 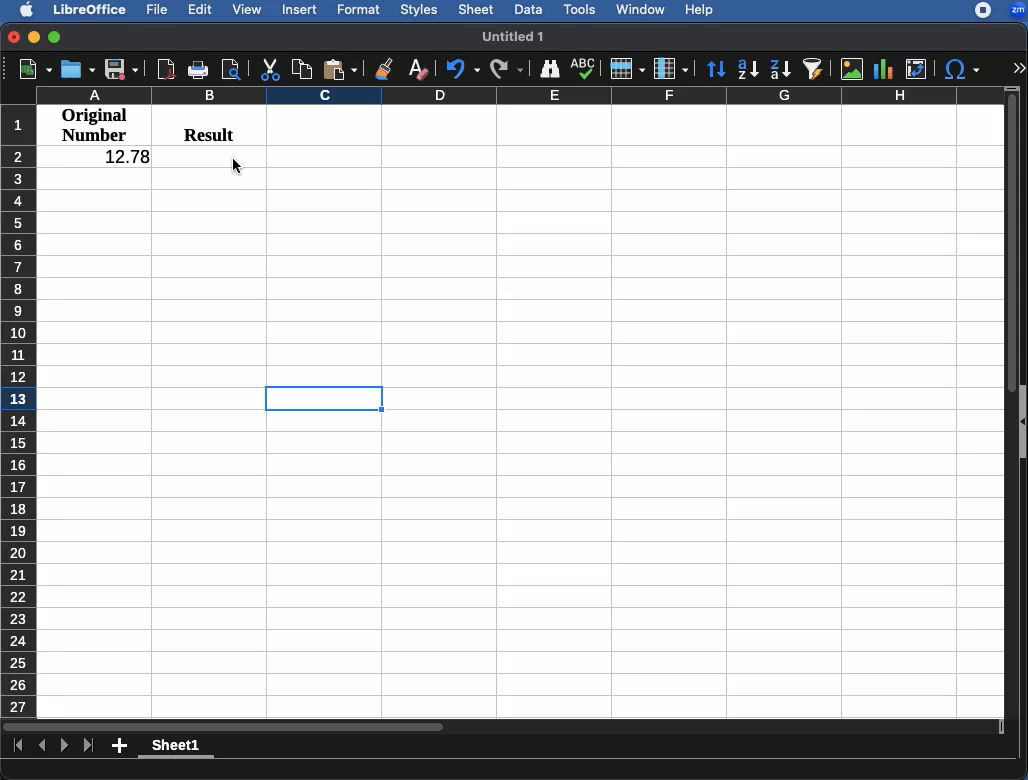 What do you see at coordinates (582, 68) in the screenshot?
I see `Spellcheck` at bounding box center [582, 68].